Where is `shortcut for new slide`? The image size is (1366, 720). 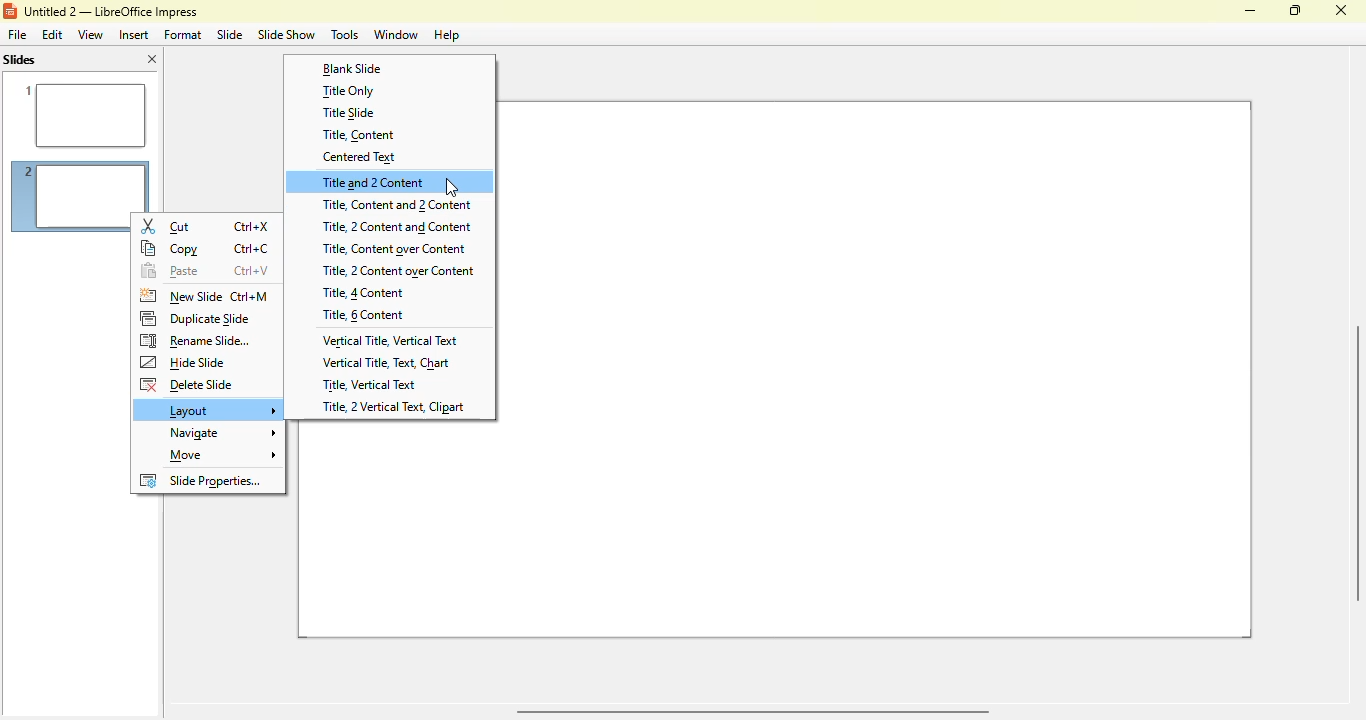
shortcut for new slide is located at coordinates (251, 296).